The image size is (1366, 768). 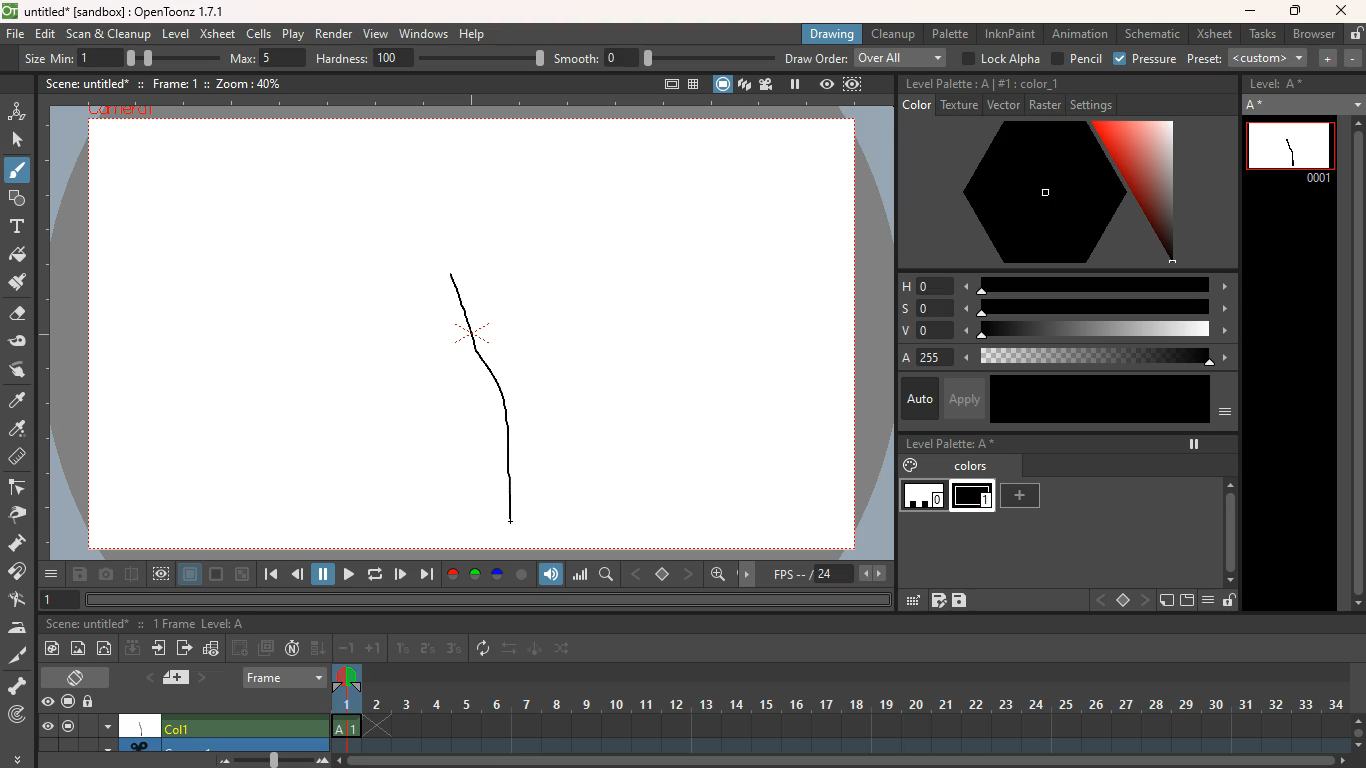 I want to click on stop, so click(x=1122, y=601).